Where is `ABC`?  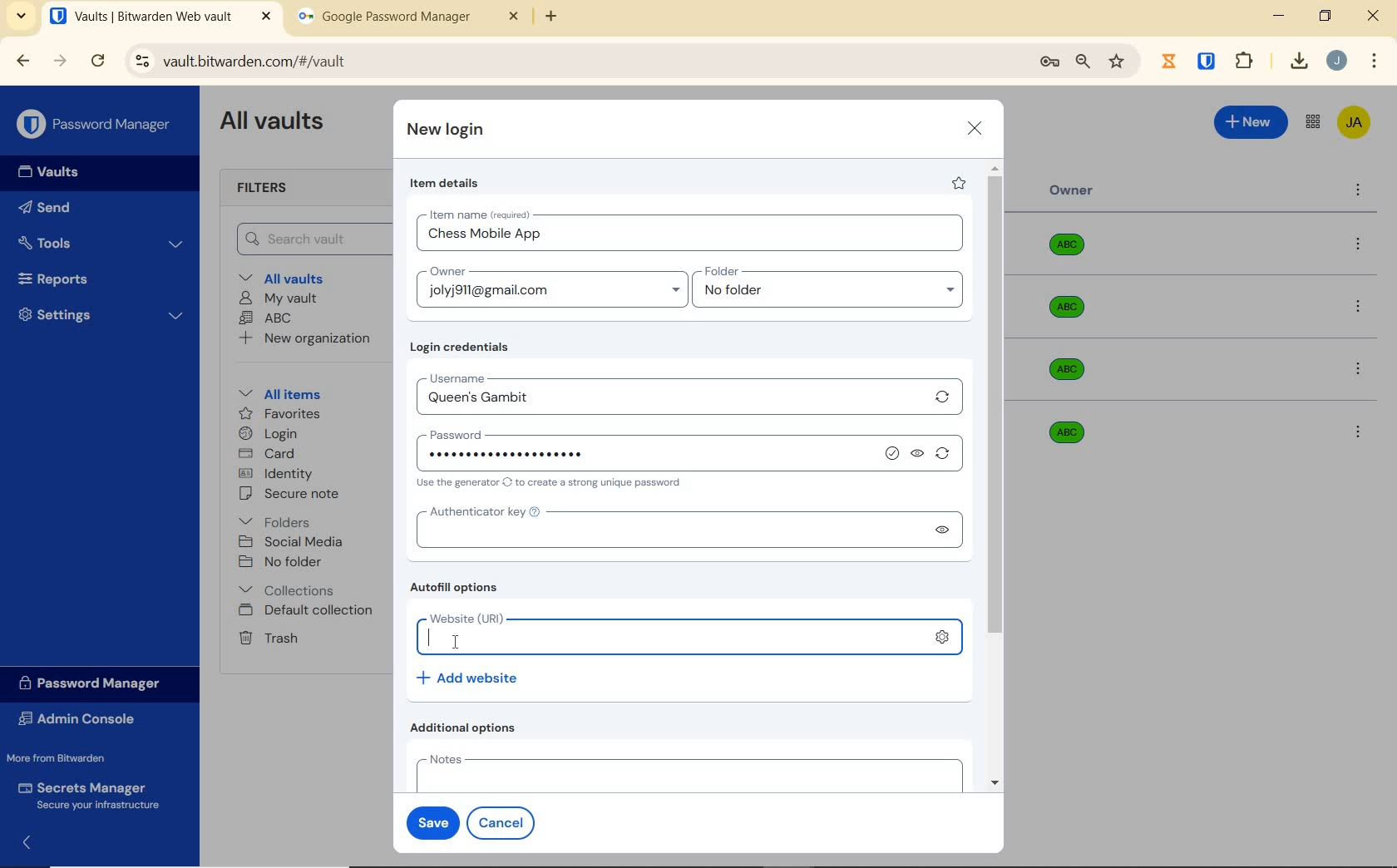
ABC is located at coordinates (265, 318).